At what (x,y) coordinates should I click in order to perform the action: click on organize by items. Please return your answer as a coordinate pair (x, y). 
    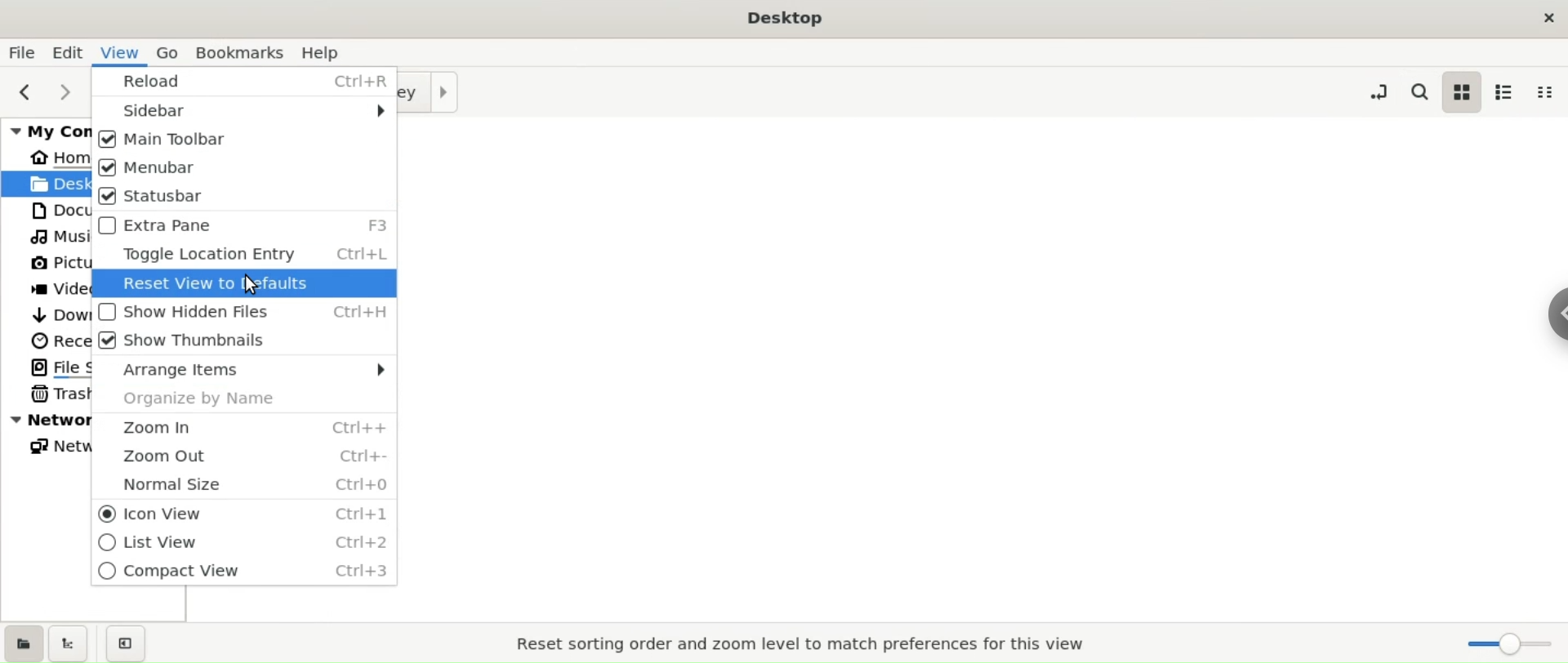
    Looking at the image, I should click on (246, 398).